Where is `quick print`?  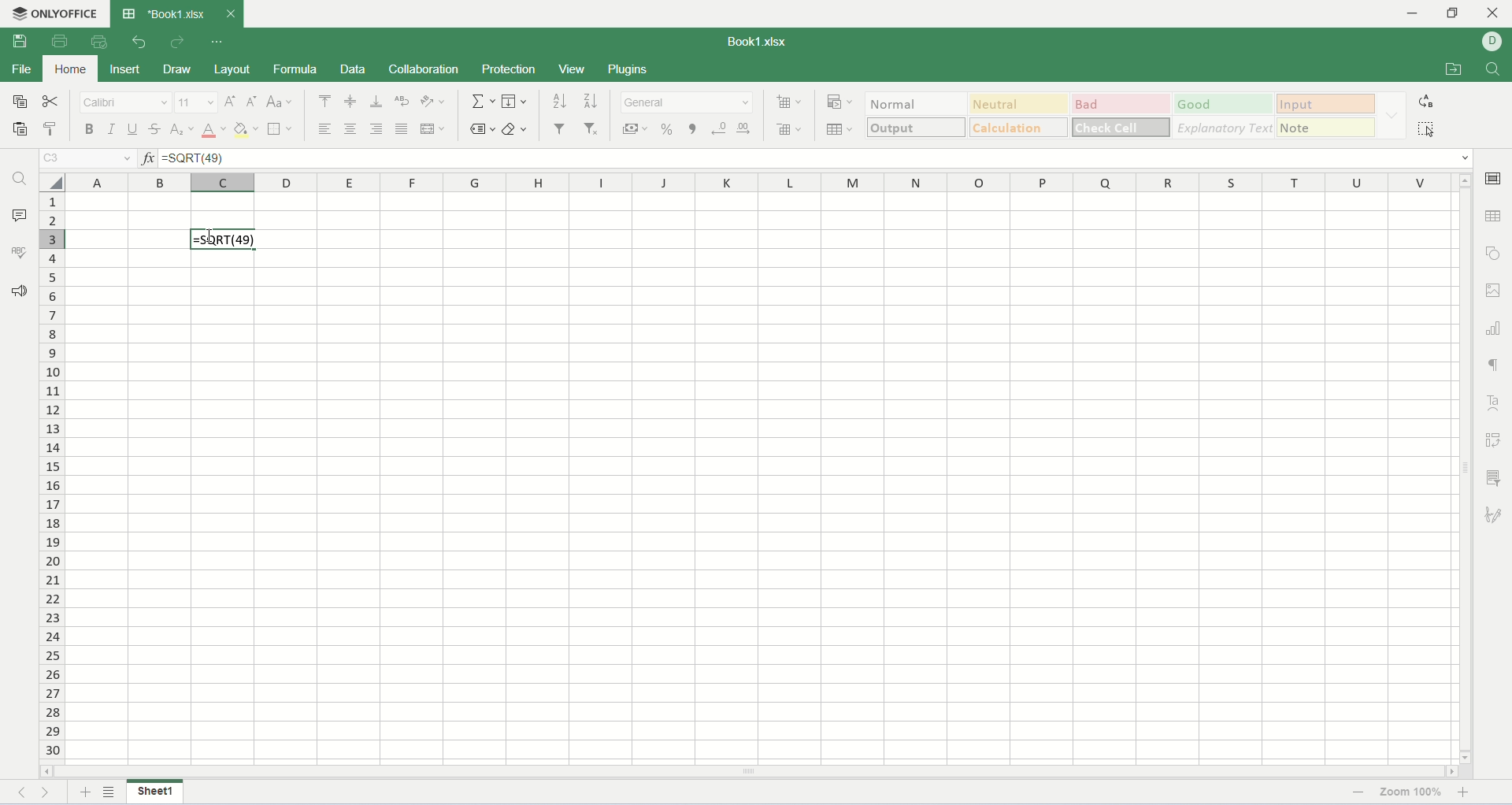 quick print is located at coordinates (101, 42).